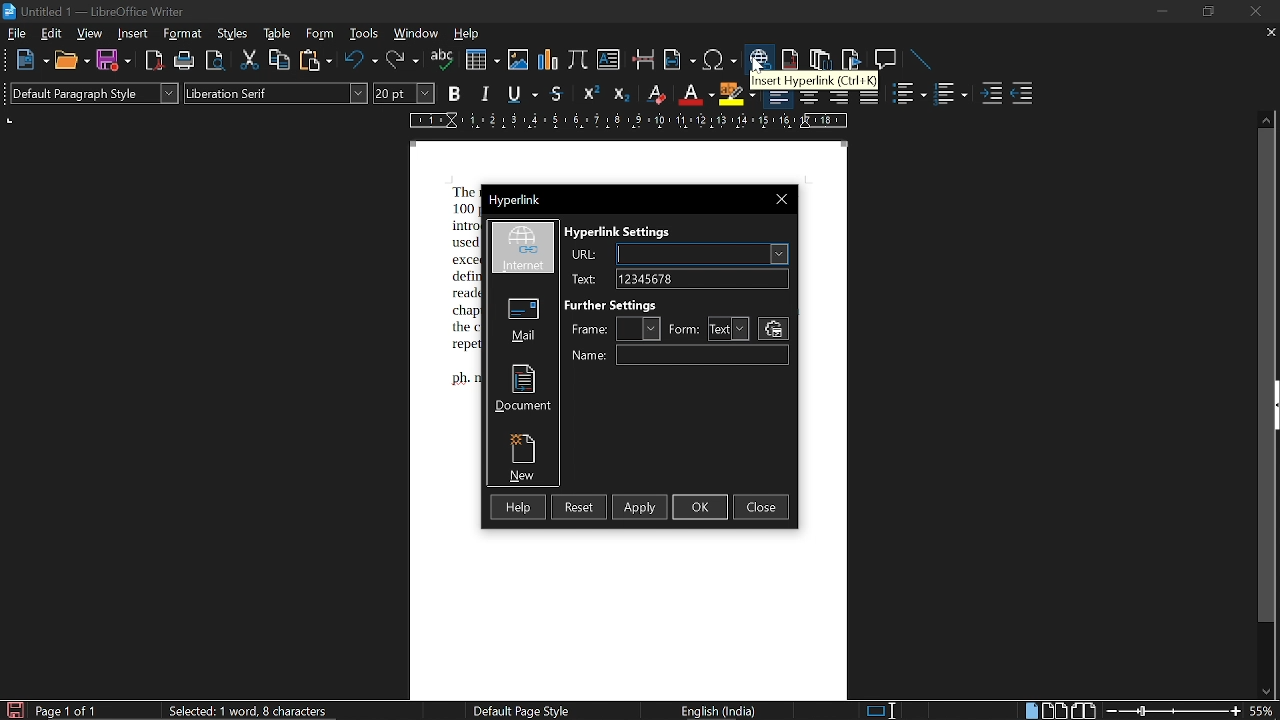  Describe the element at coordinates (1264, 712) in the screenshot. I see `current zoom` at that location.